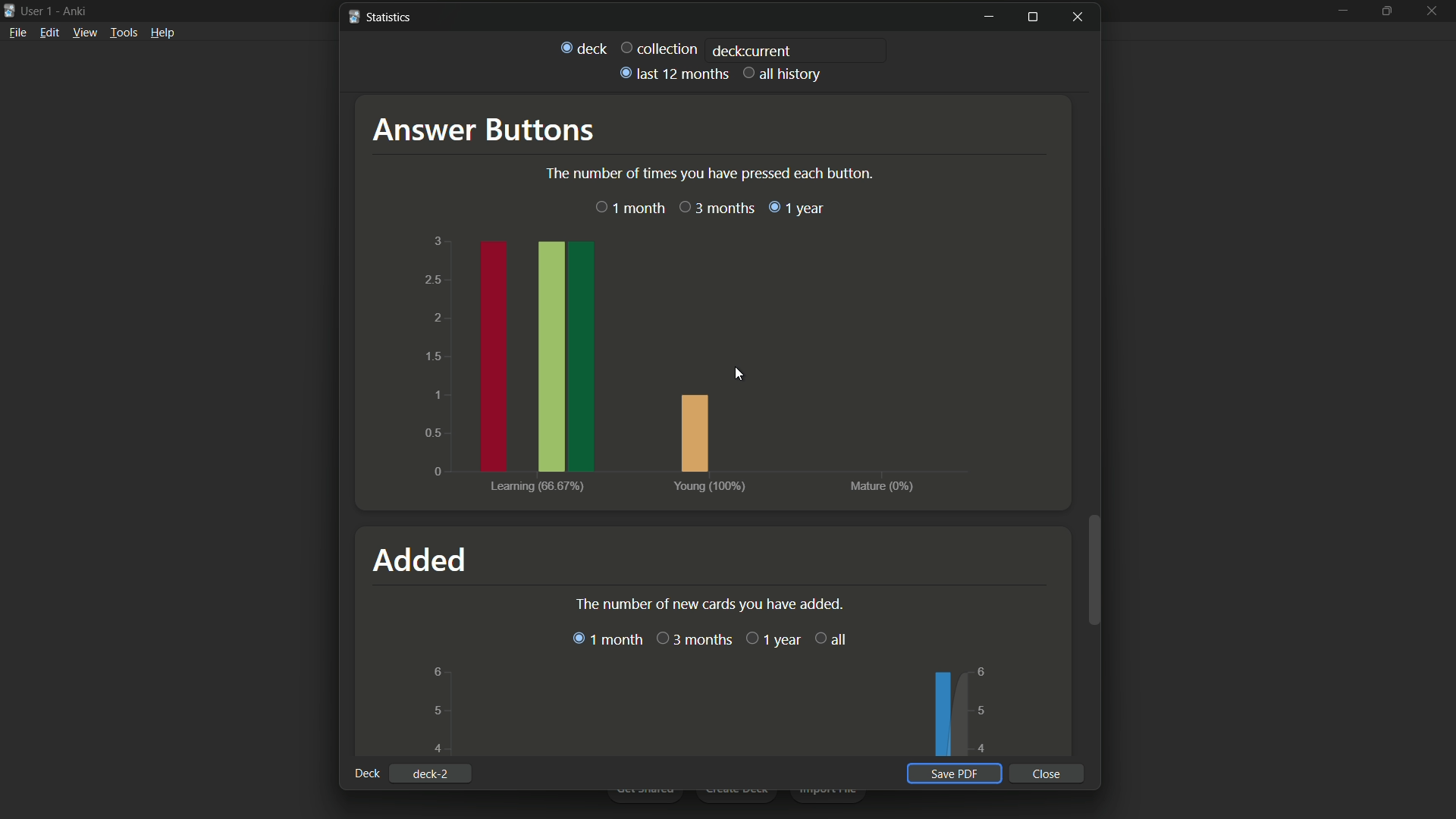  I want to click on cursor, so click(733, 369).